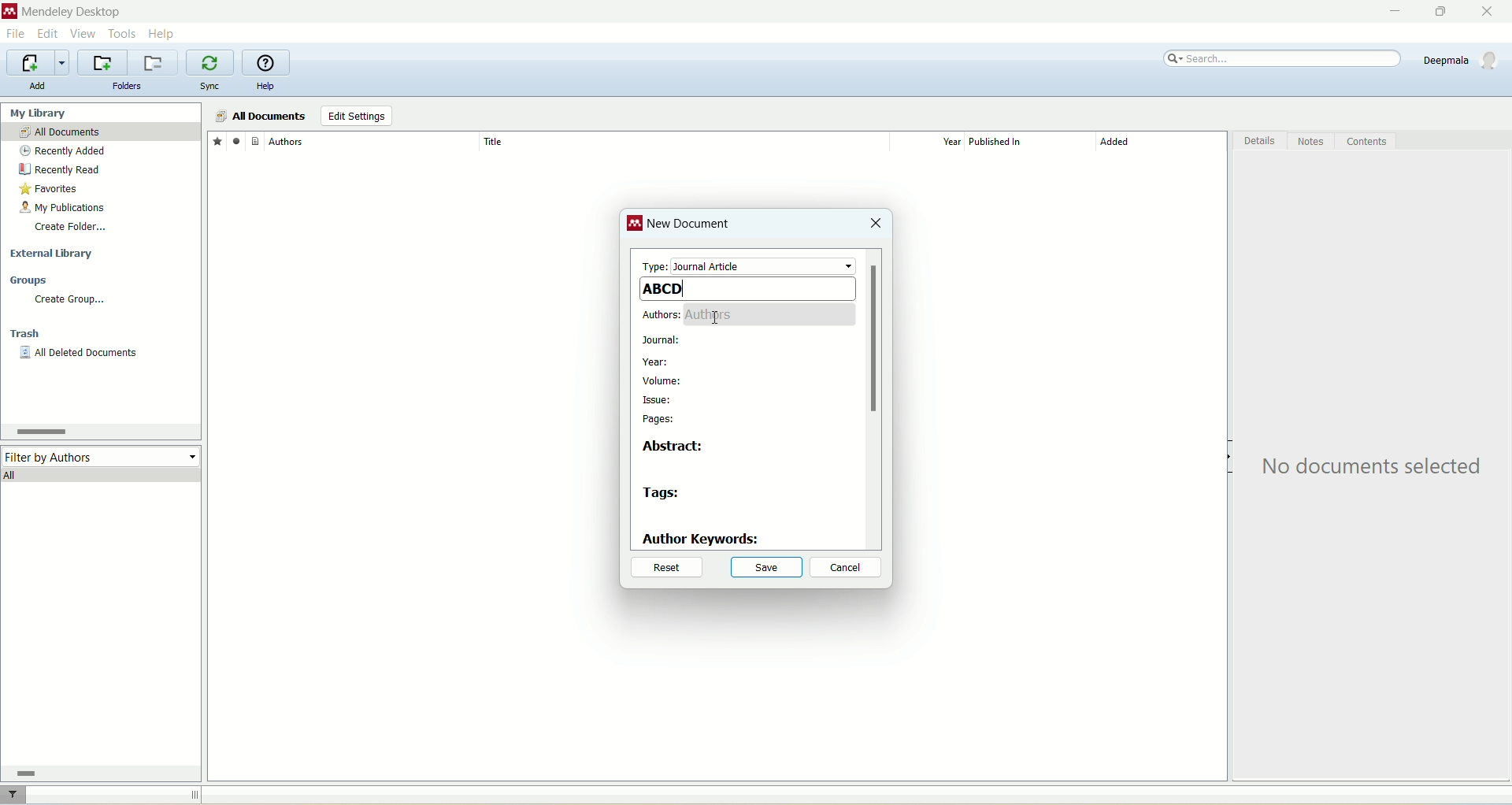 The image size is (1512, 805). Describe the element at coordinates (123, 32) in the screenshot. I see `tools` at that location.